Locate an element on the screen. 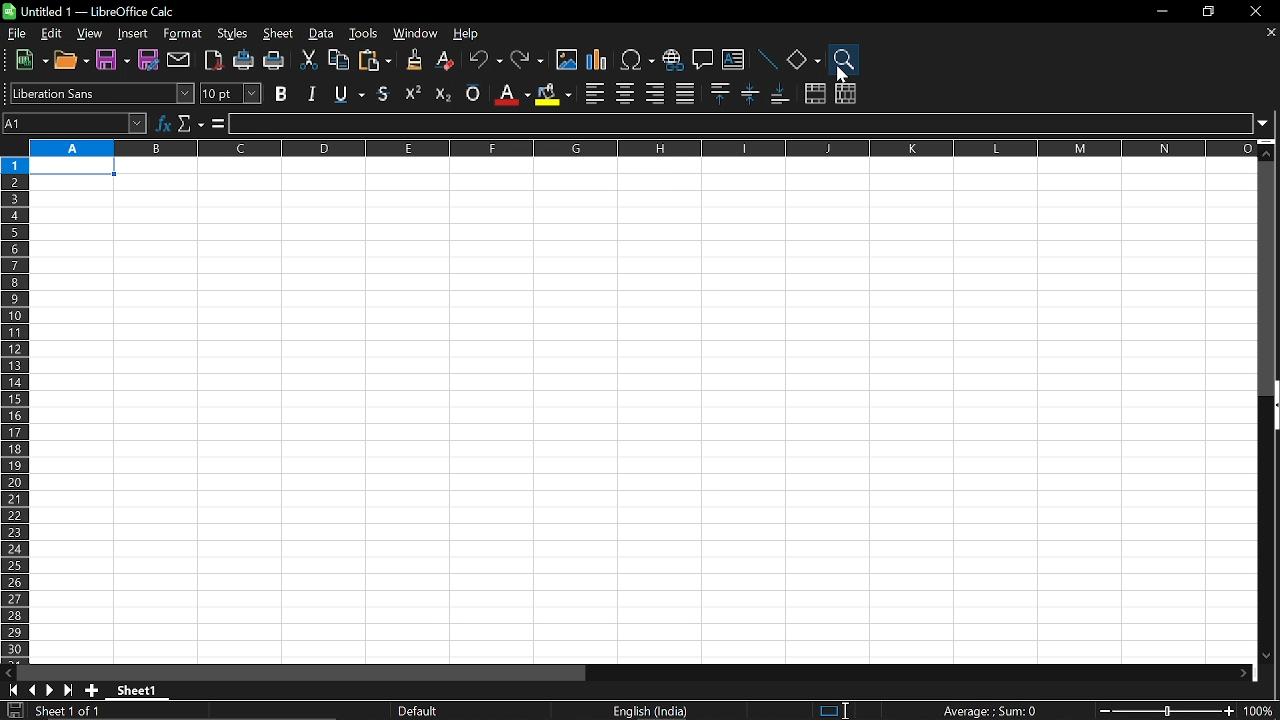  horizontal scrollbar is located at coordinates (306, 673).